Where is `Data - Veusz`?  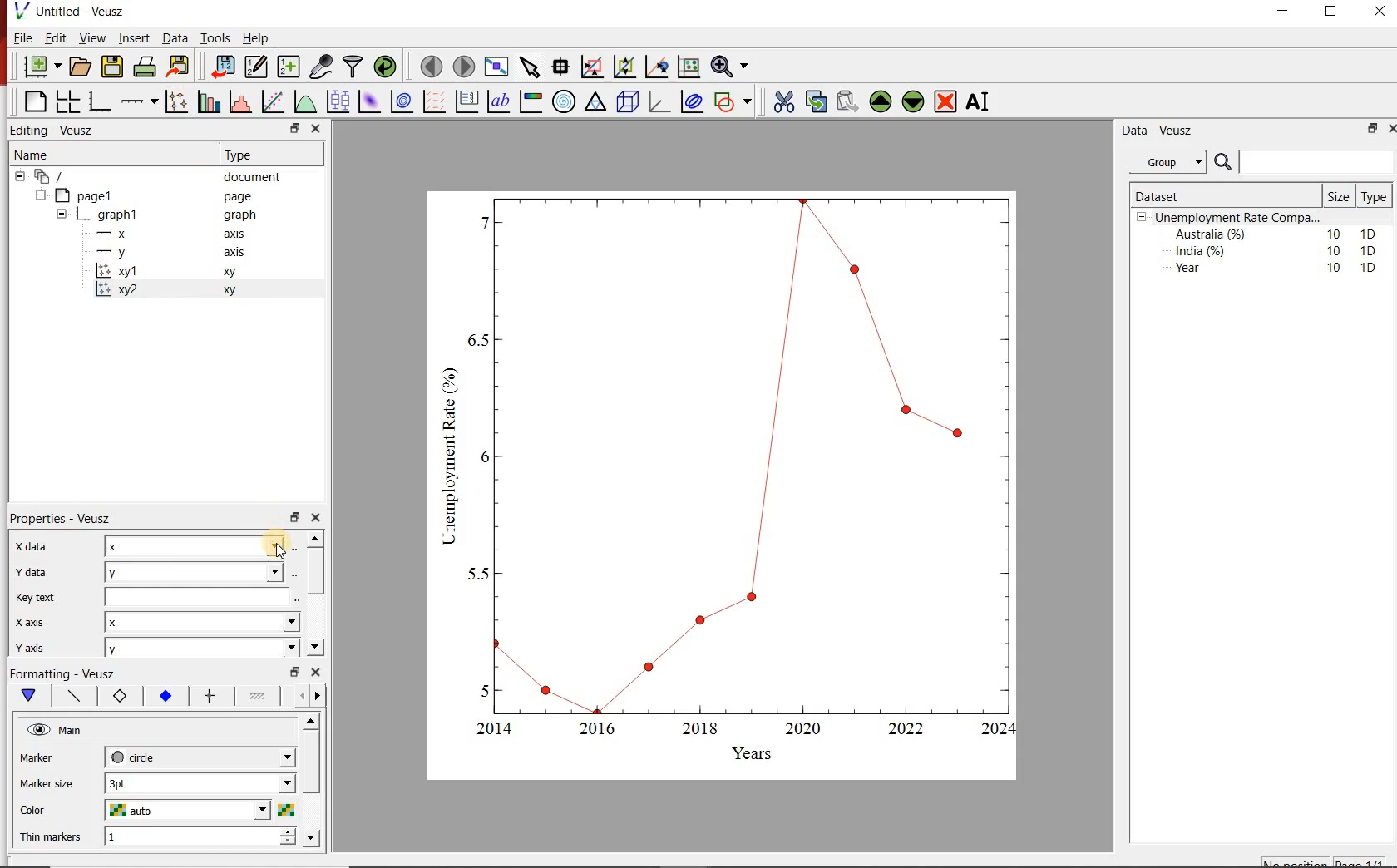
Data - Veusz is located at coordinates (1173, 131).